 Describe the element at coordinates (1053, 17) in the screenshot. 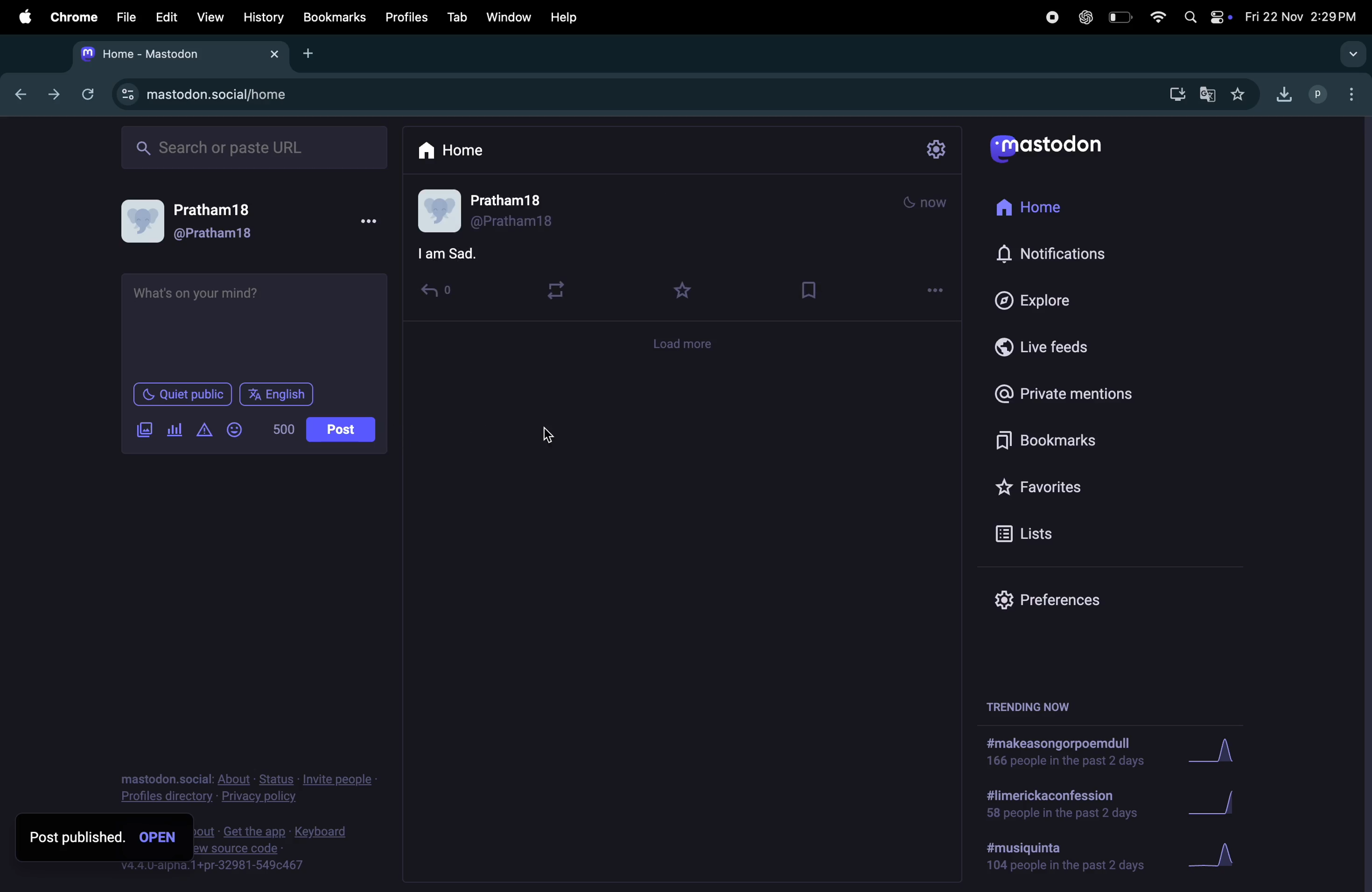

I see `record` at that location.